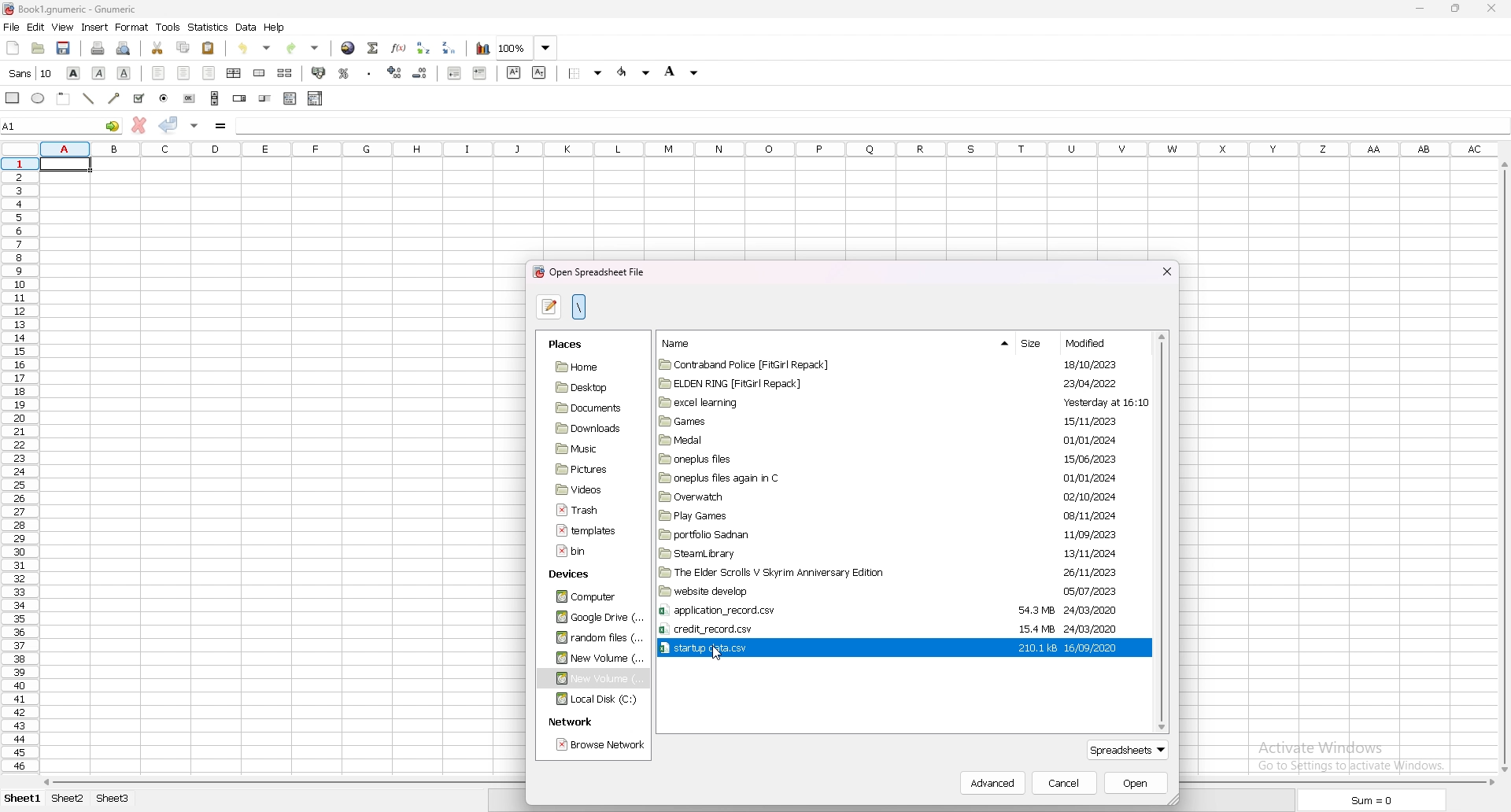 This screenshot has height=812, width=1511. I want to click on accounting, so click(320, 72).